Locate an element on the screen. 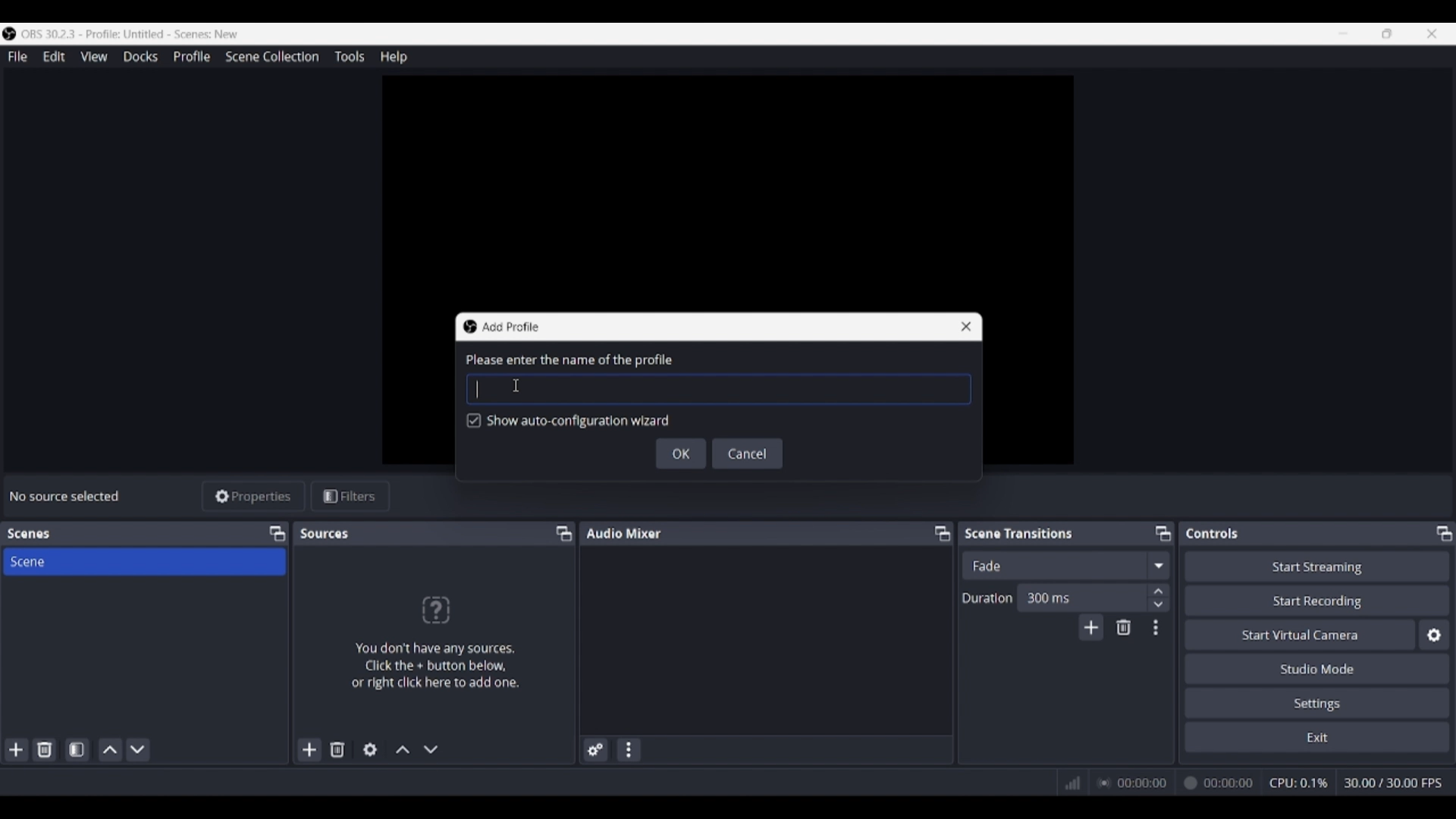 The image size is (1456, 819). Delete selected scene is located at coordinates (44, 749).